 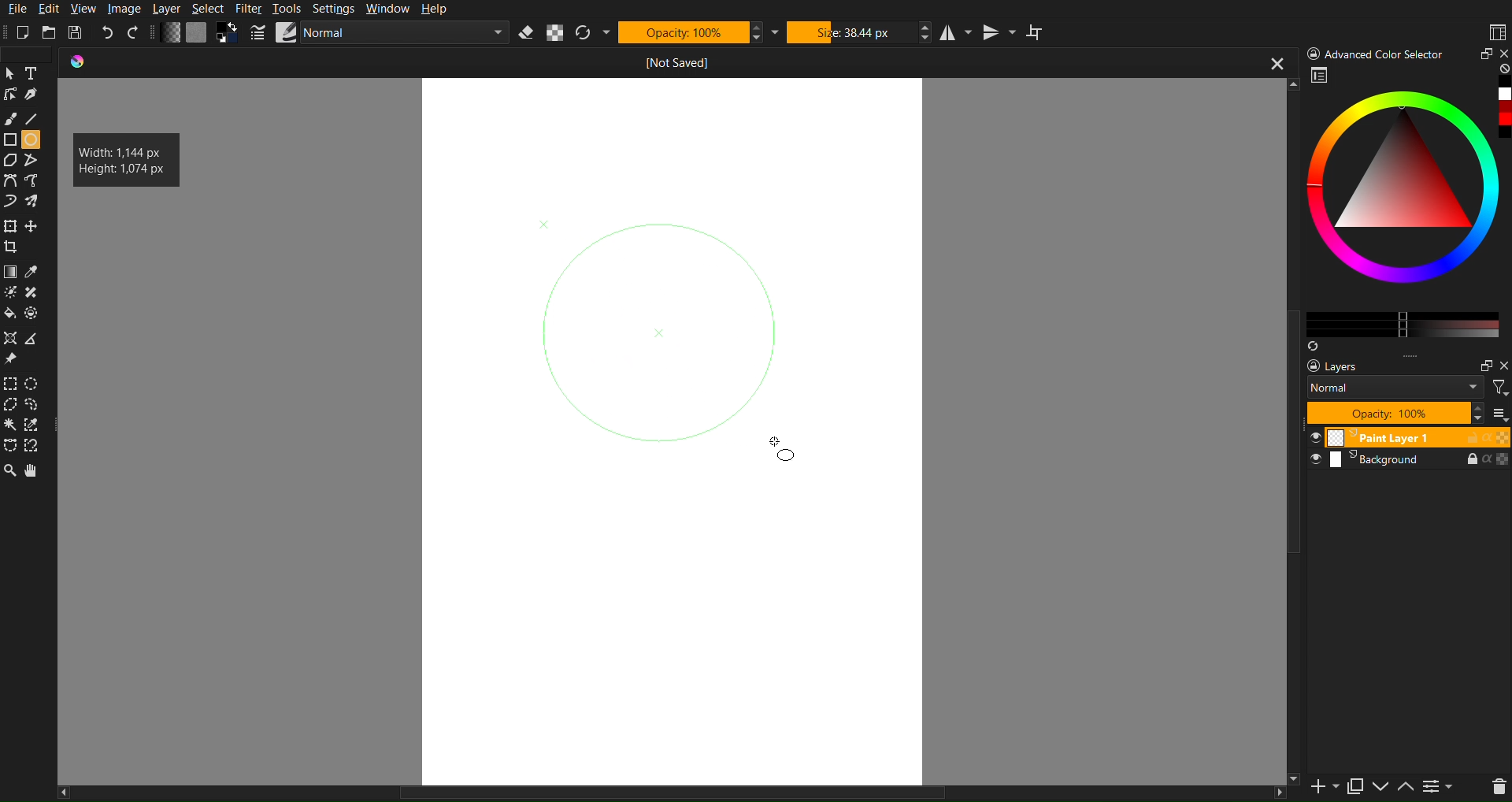 What do you see at coordinates (10, 471) in the screenshot?
I see `Zoom ` at bounding box center [10, 471].